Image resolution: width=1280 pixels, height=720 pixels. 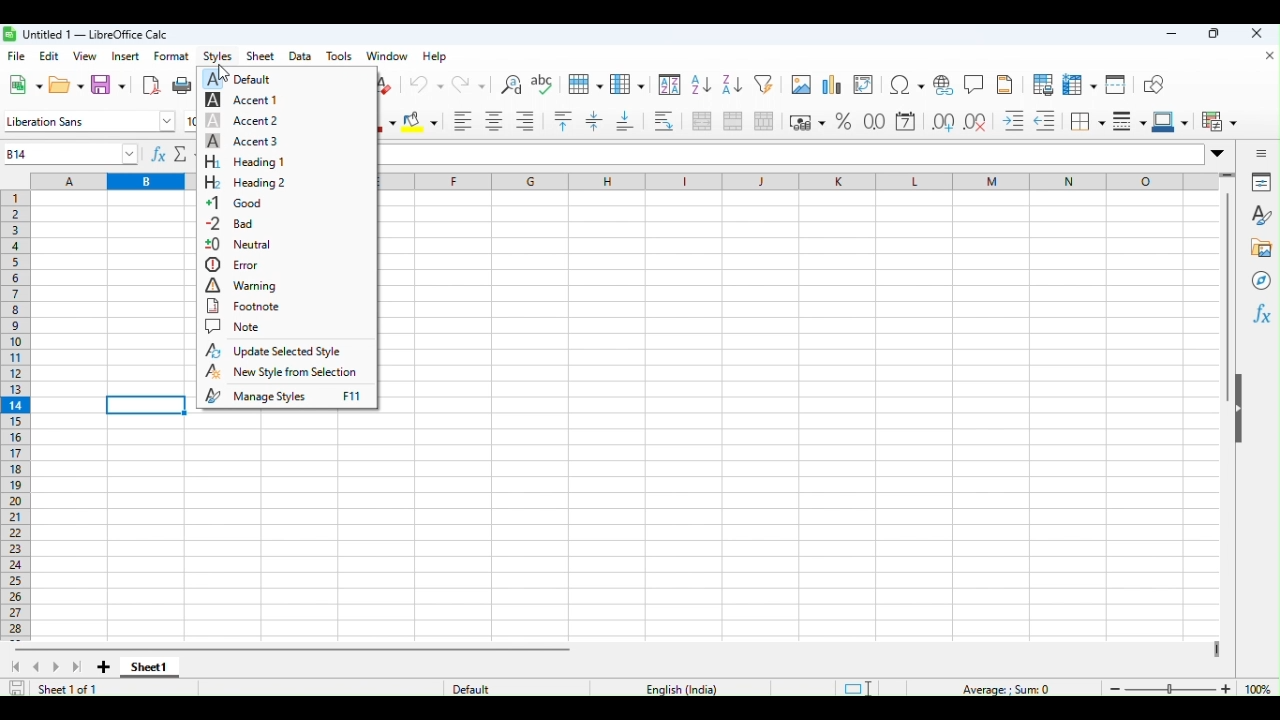 What do you see at coordinates (603, 181) in the screenshot?
I see `h` at bounding box center [603, 181].